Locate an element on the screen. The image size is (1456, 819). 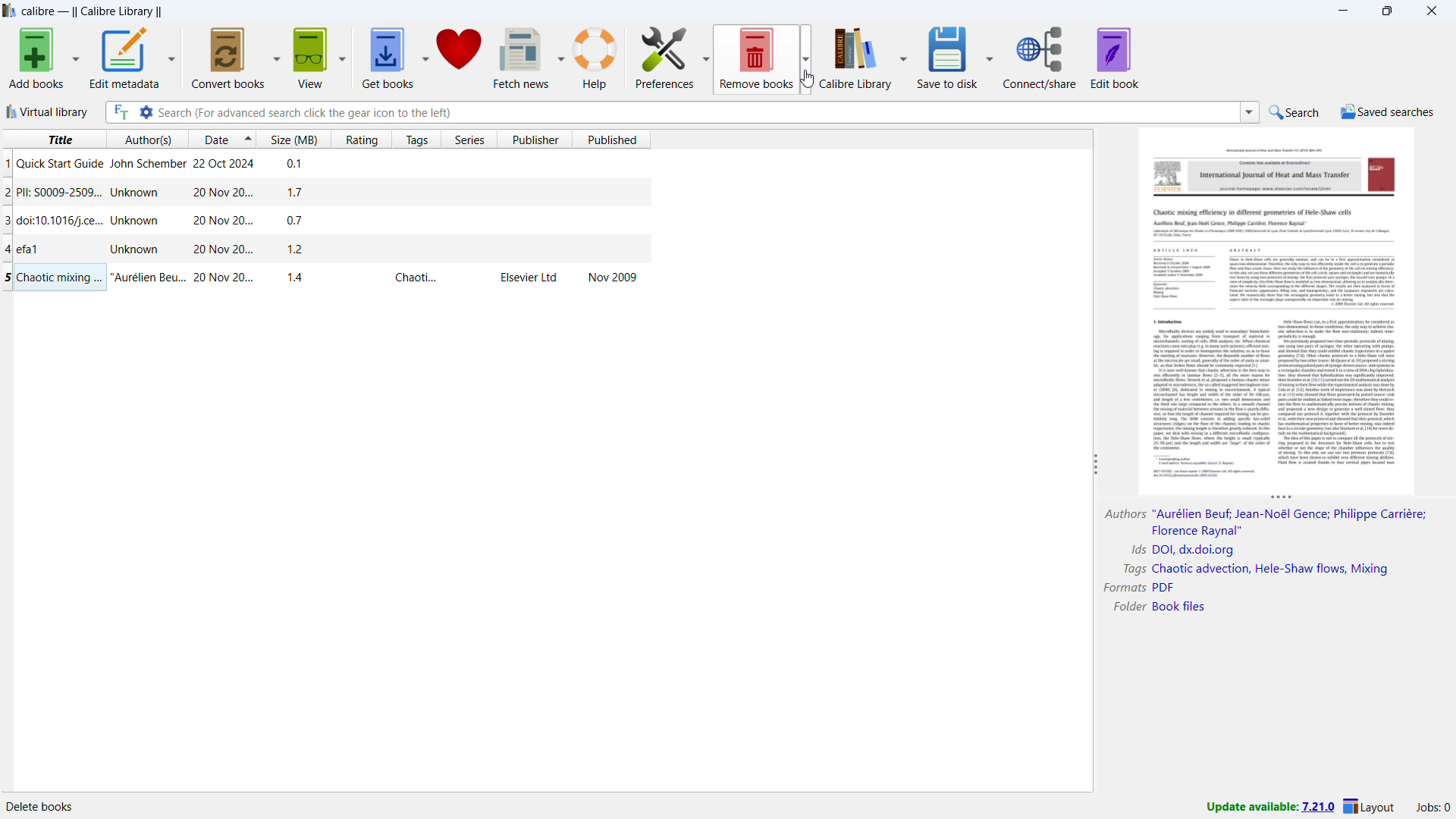
single book entry is located at coordinates (325, 193).